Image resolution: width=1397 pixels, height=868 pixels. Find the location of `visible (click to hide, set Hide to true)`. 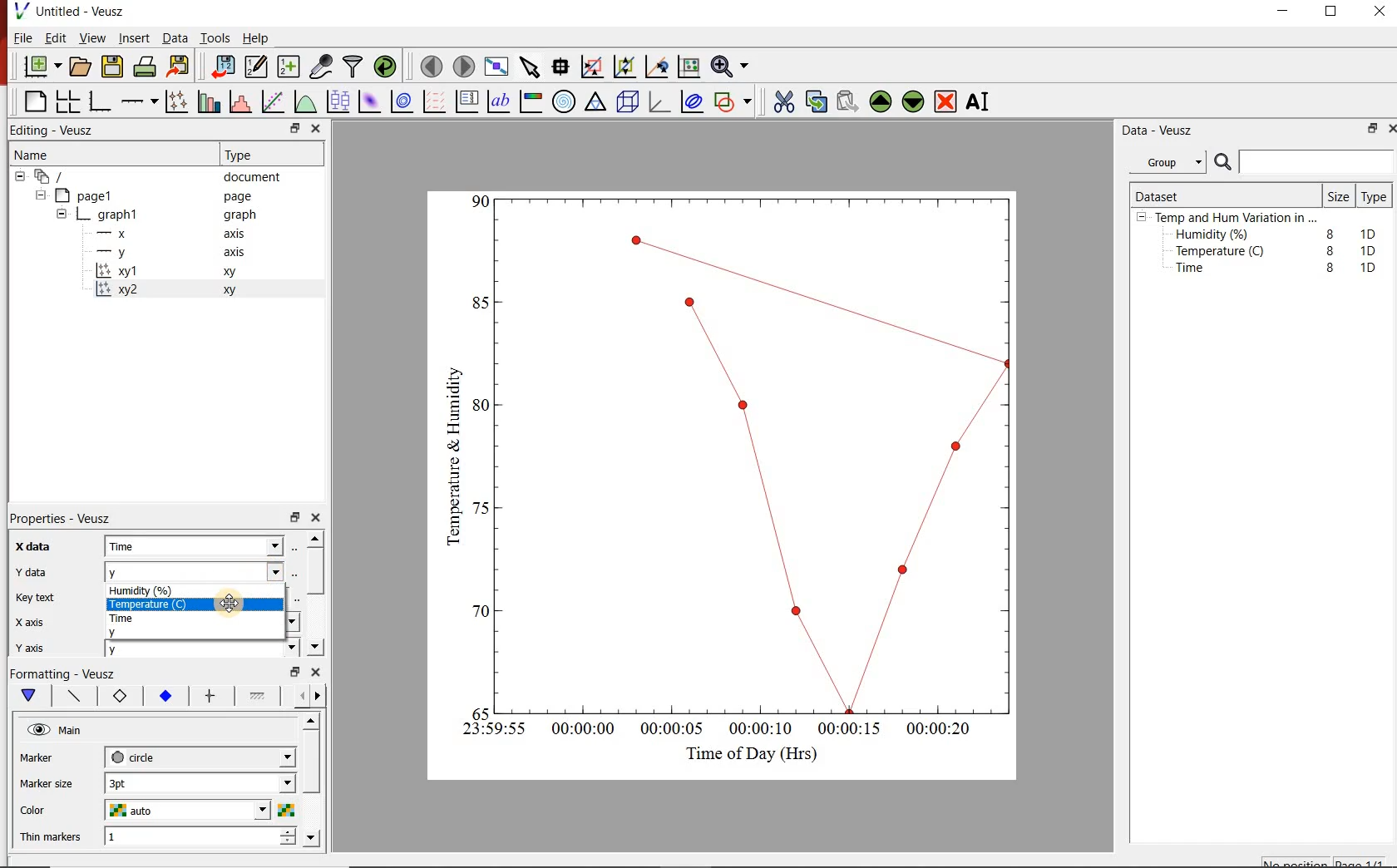

visible (click to hide, set Hide to true) is located at coordinates (37, 731).